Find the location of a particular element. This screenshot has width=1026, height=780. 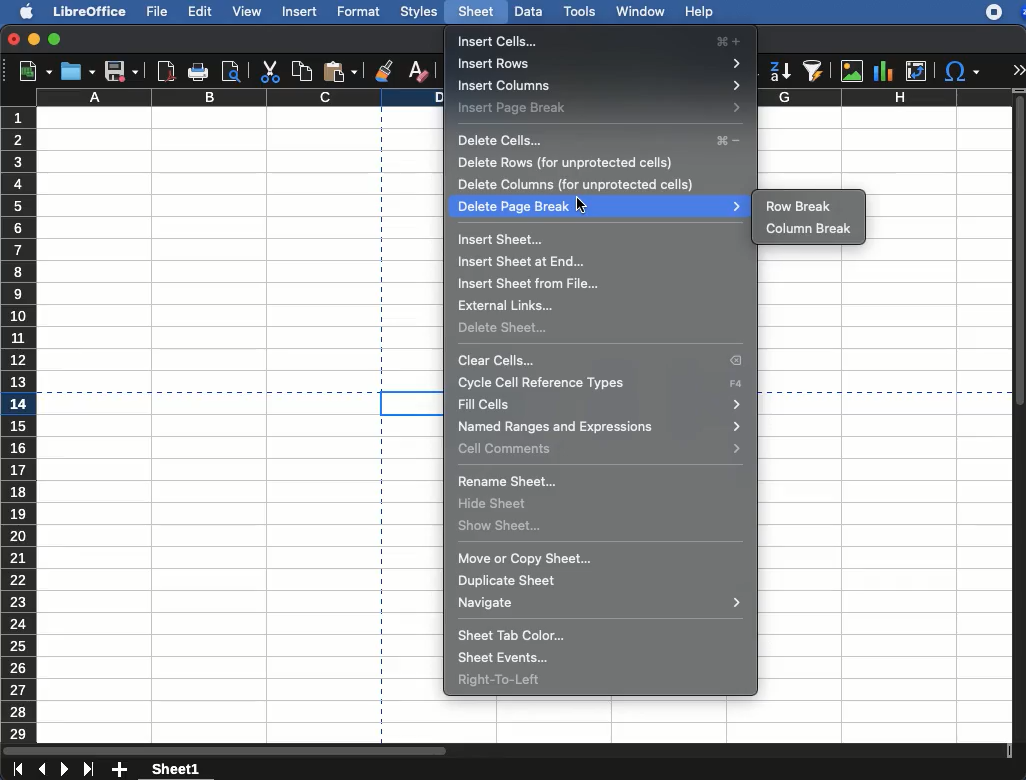

data is located at coordinates (526, 11).